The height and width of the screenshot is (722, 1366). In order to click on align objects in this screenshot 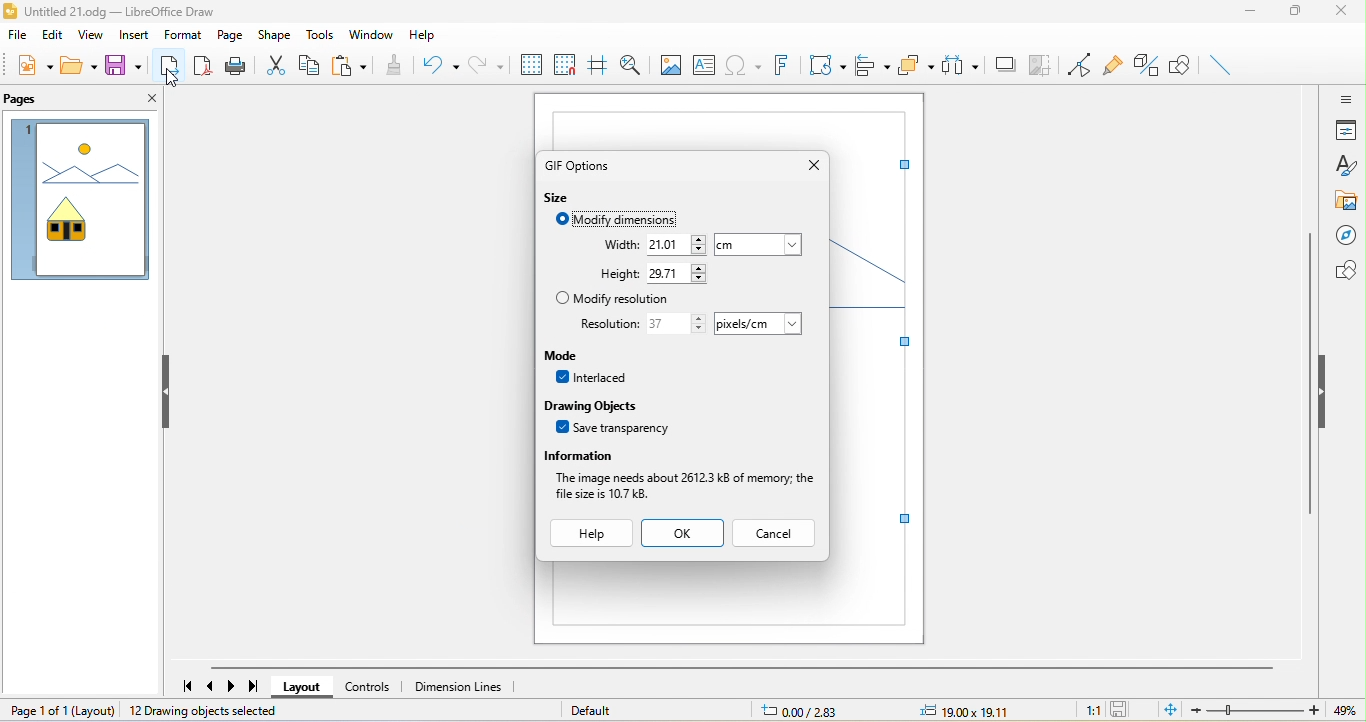, I will do `click(874, 64)`.